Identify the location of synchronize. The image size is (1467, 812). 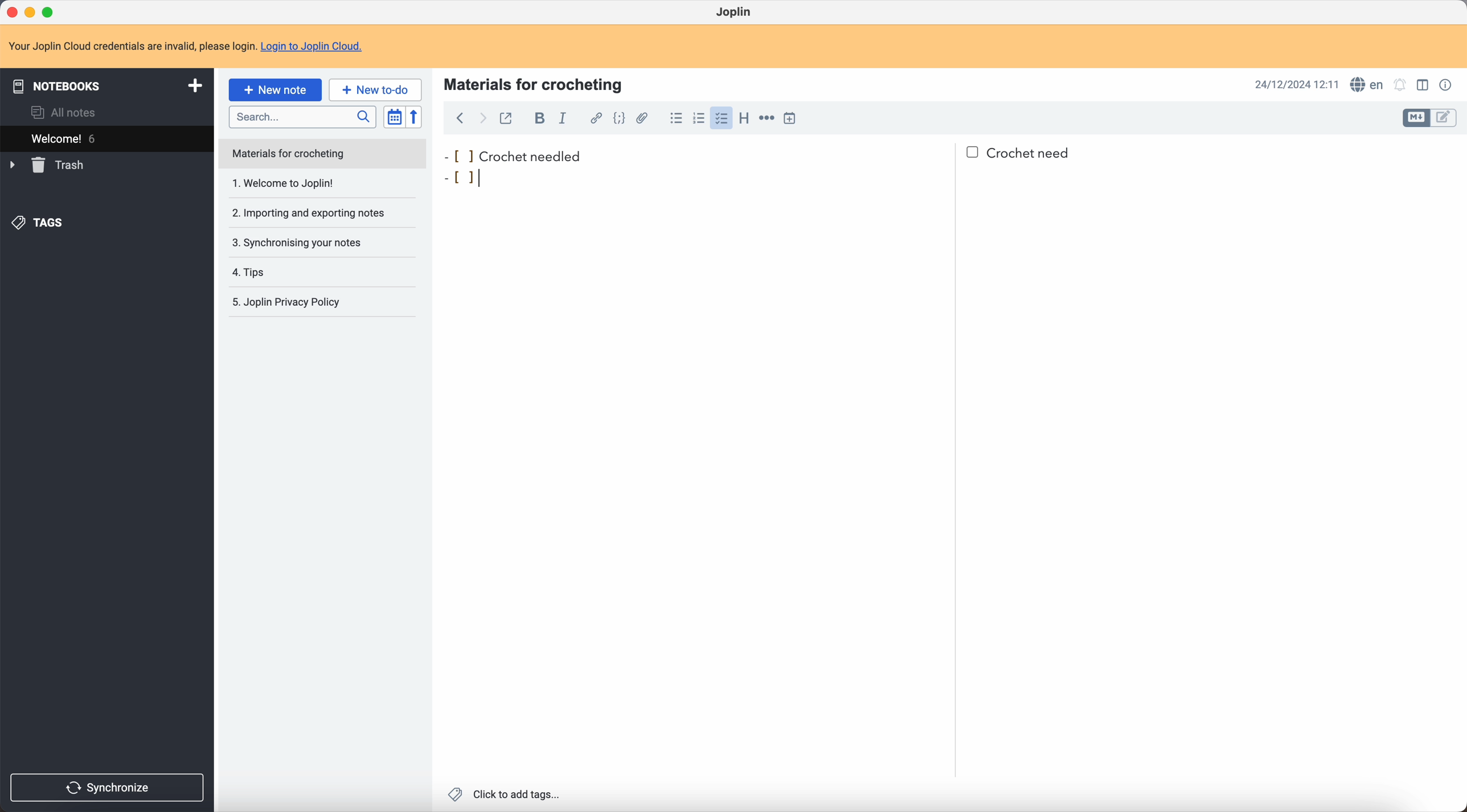
(108, 788).